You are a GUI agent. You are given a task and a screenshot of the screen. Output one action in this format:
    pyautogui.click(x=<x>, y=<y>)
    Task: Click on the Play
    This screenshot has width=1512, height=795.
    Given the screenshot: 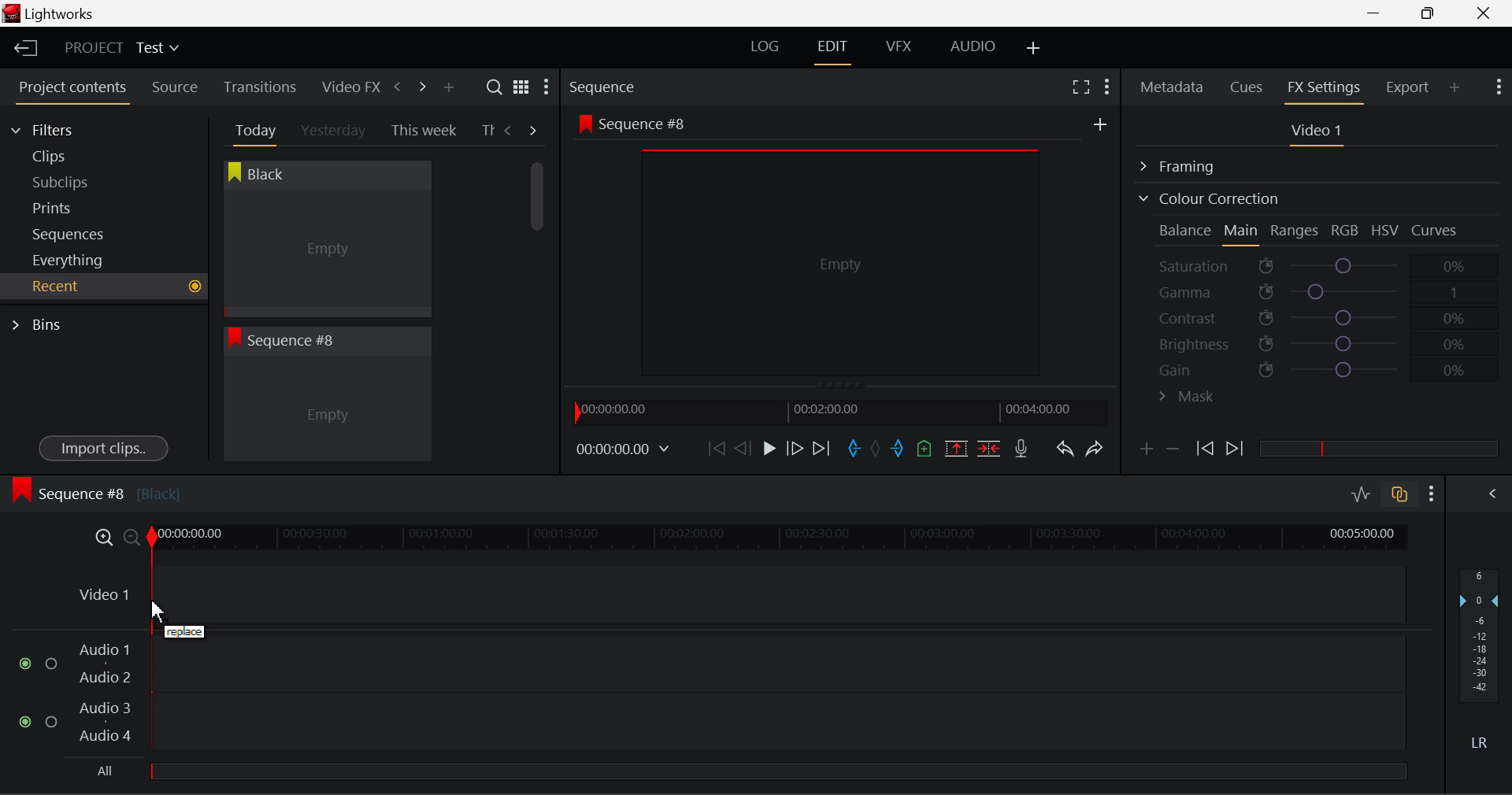 What is the action you would take?
    pyautogui.click(x=767, y=449)
    